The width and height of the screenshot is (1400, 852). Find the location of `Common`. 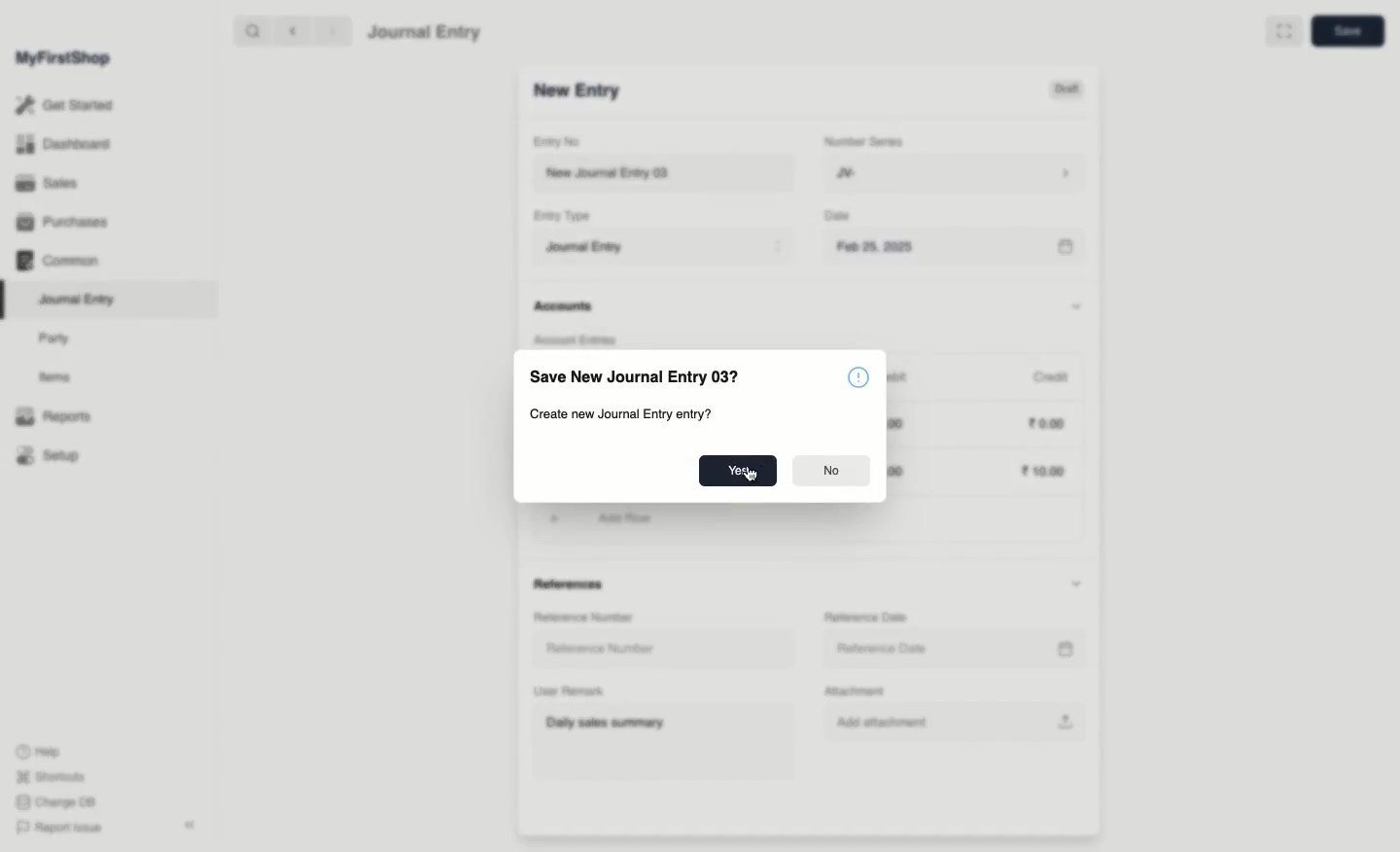

Common is located at coordinates (56, 261).